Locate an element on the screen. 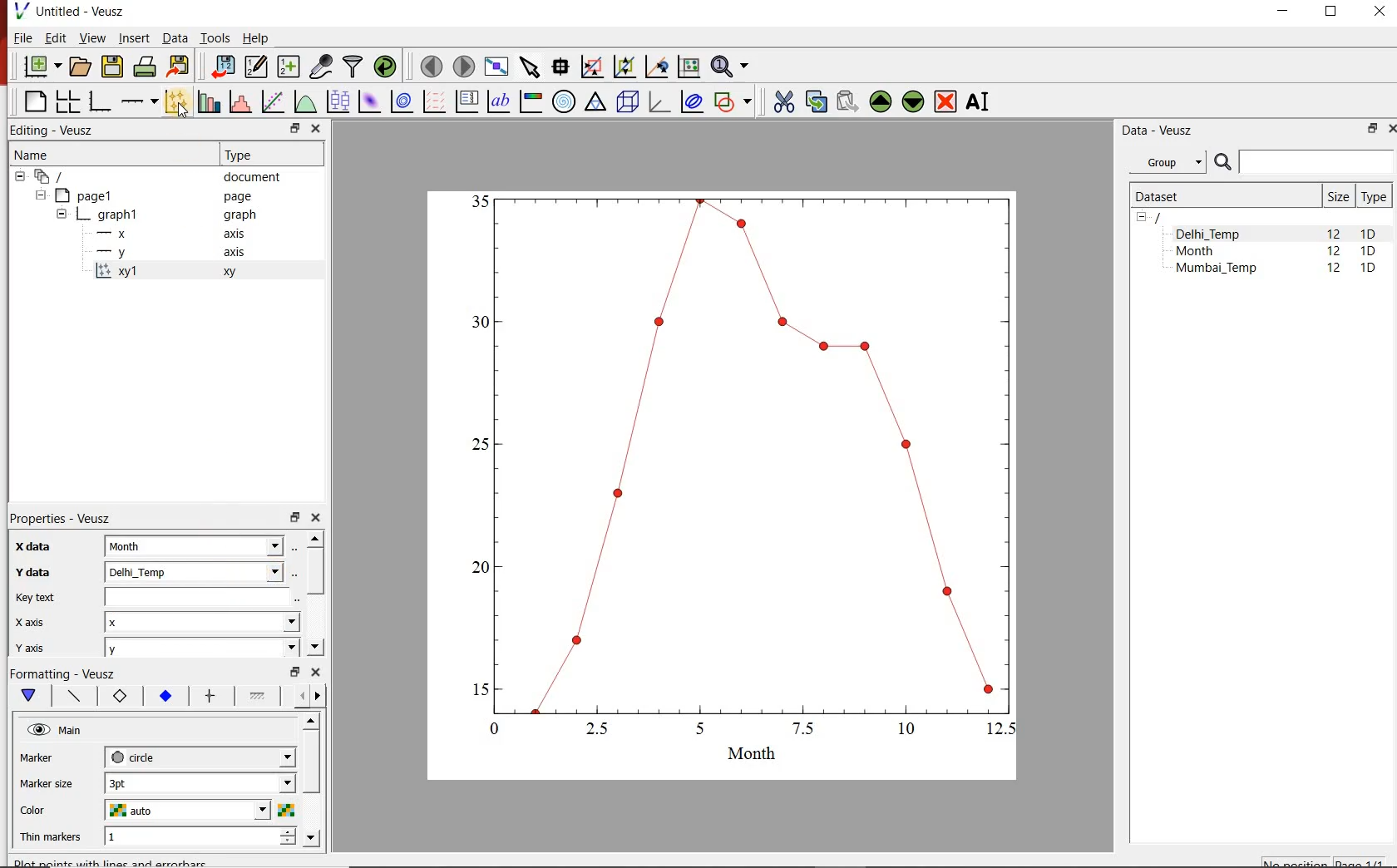 This screenshot has height=868, width=1397. Tick labels is located at coordinates (164, 693).